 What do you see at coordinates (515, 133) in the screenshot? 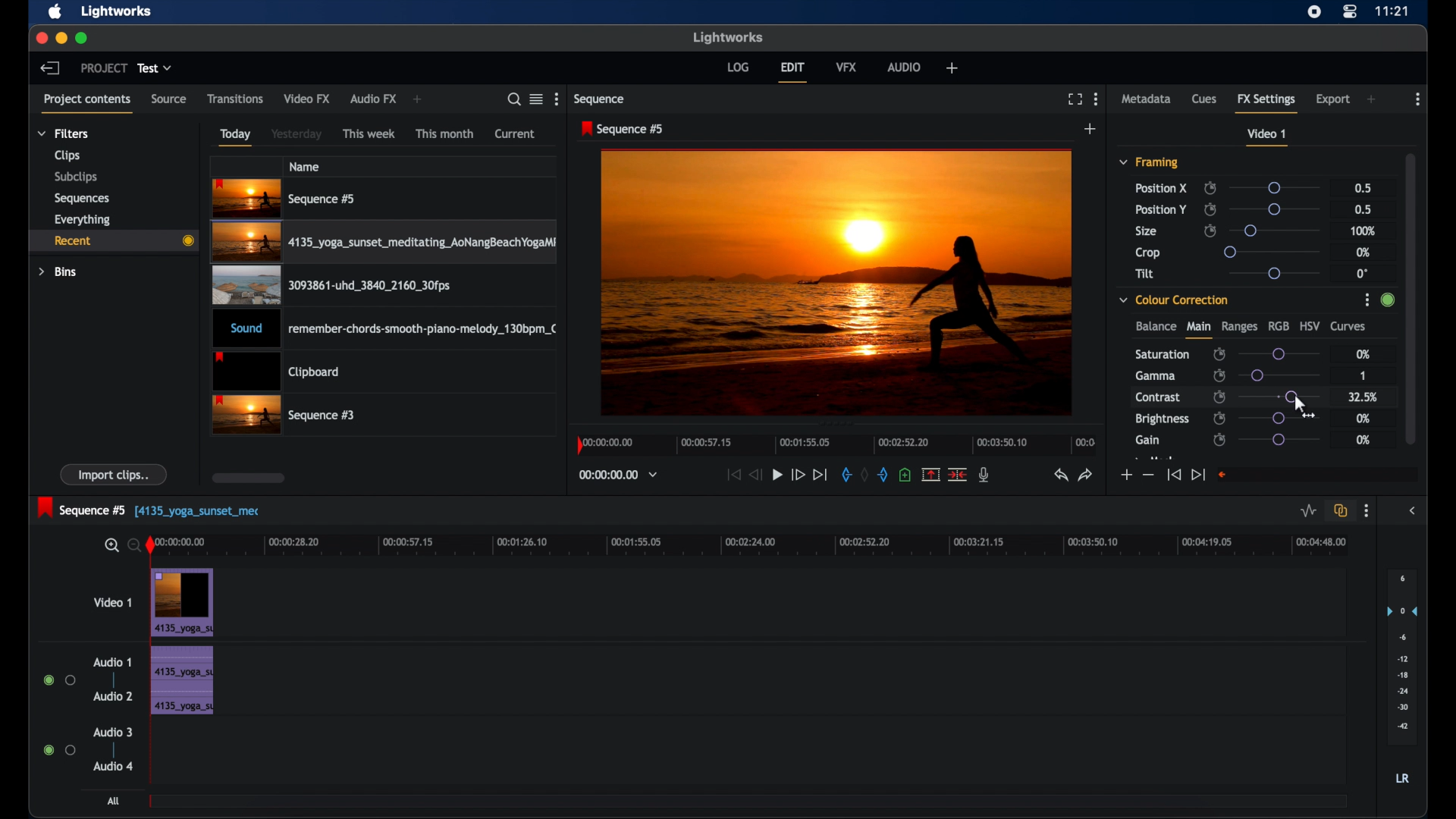
I see `current` at bounding box center [515, 133].